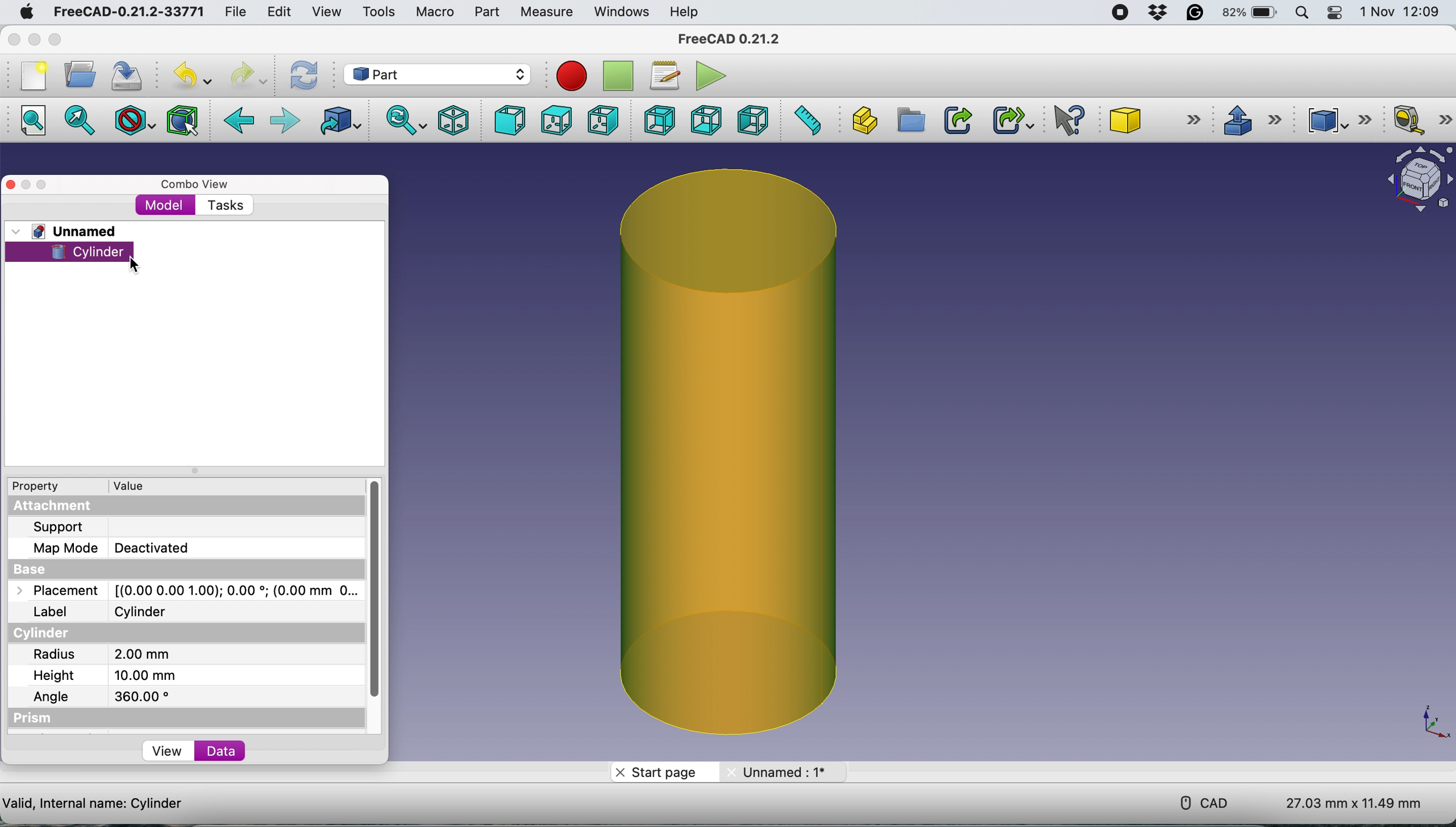  Describe the element at coordinates (489, 14) in the screenshot. I see `part` at that location.